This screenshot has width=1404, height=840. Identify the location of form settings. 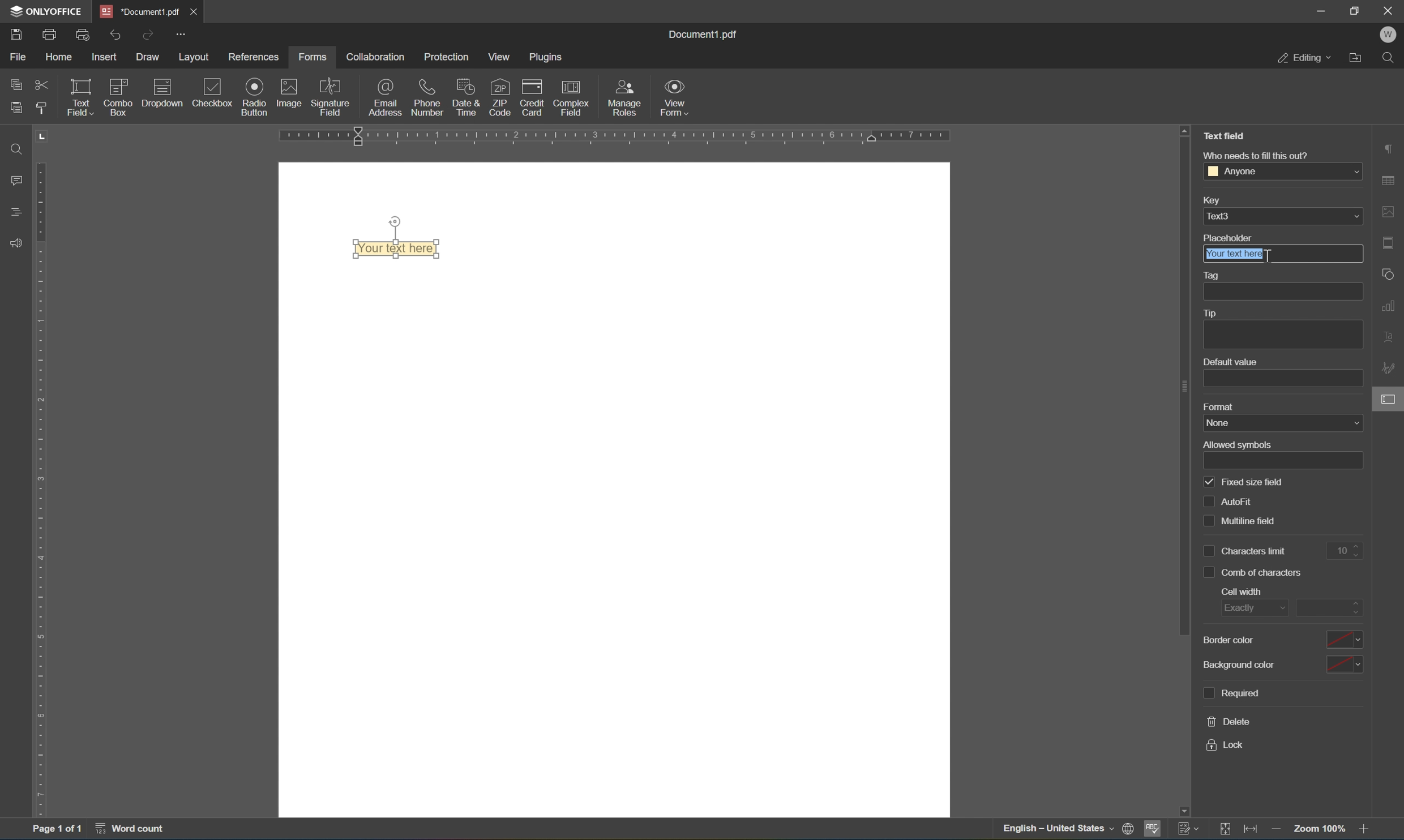
(1392, 397).